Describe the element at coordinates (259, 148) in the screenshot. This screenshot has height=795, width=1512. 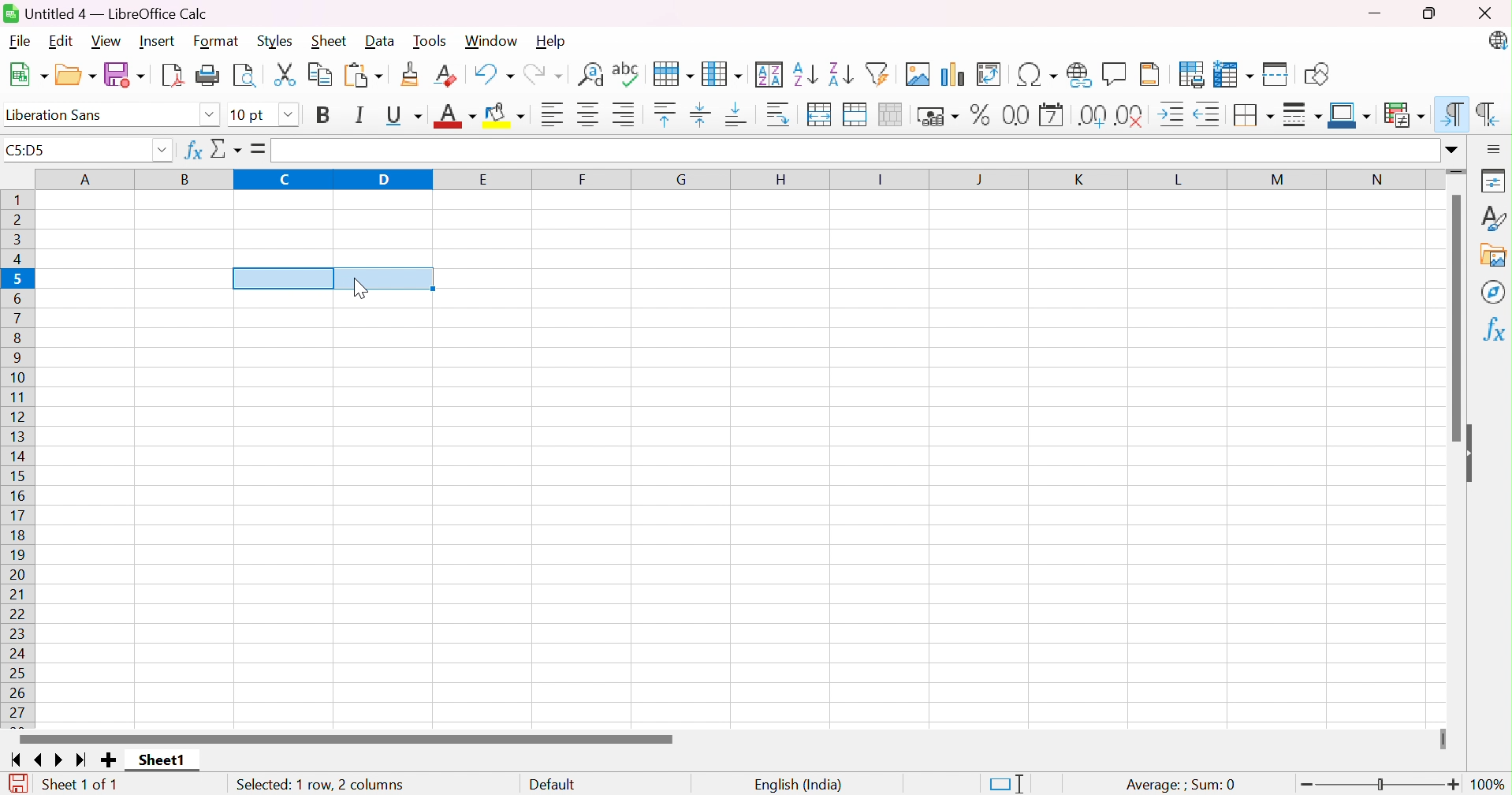
I see `Formula` at that location.